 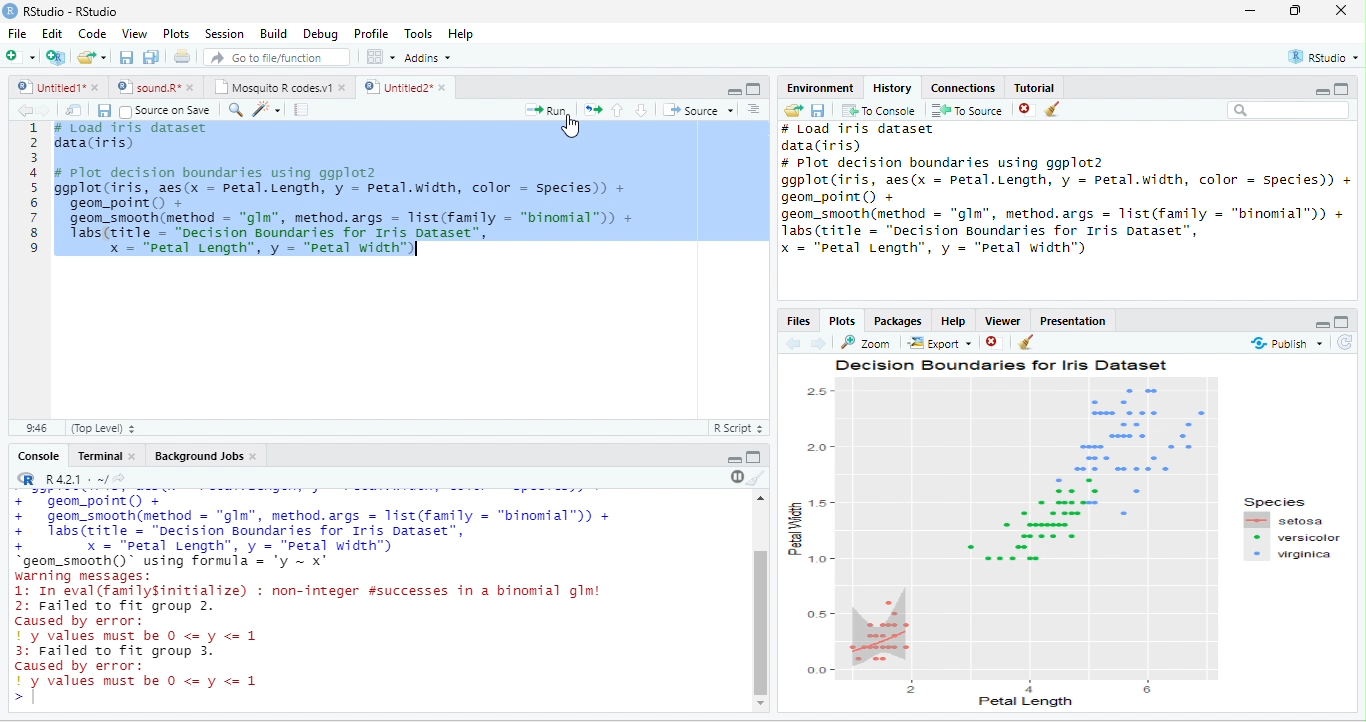 What do you see at coordinates (197, 456) in the screenshot?
I see `Background Jobs` at bounding box center [197, 456].